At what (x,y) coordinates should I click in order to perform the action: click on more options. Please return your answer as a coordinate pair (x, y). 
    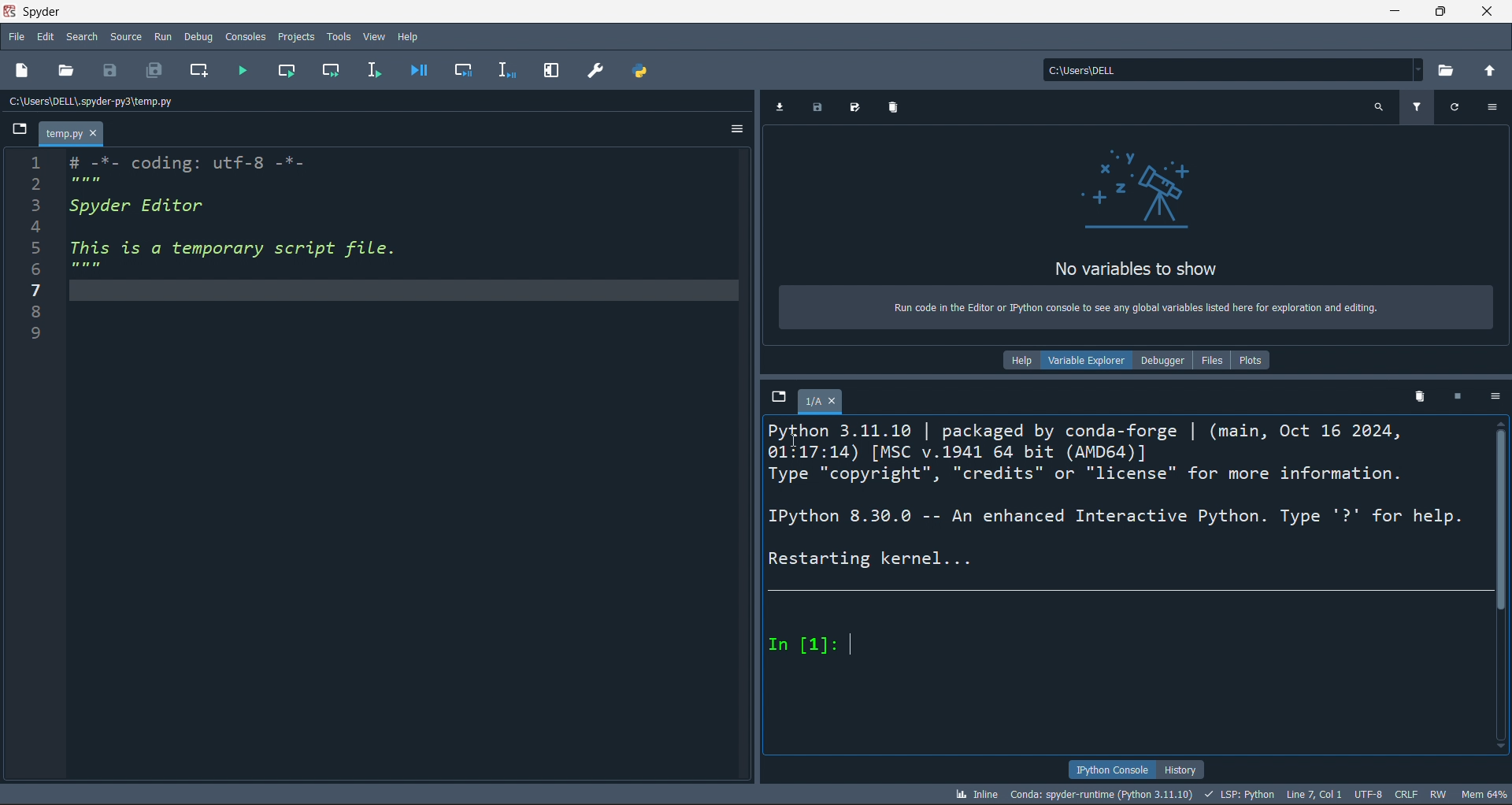
    Looking at the image, I should click on (732, 130).